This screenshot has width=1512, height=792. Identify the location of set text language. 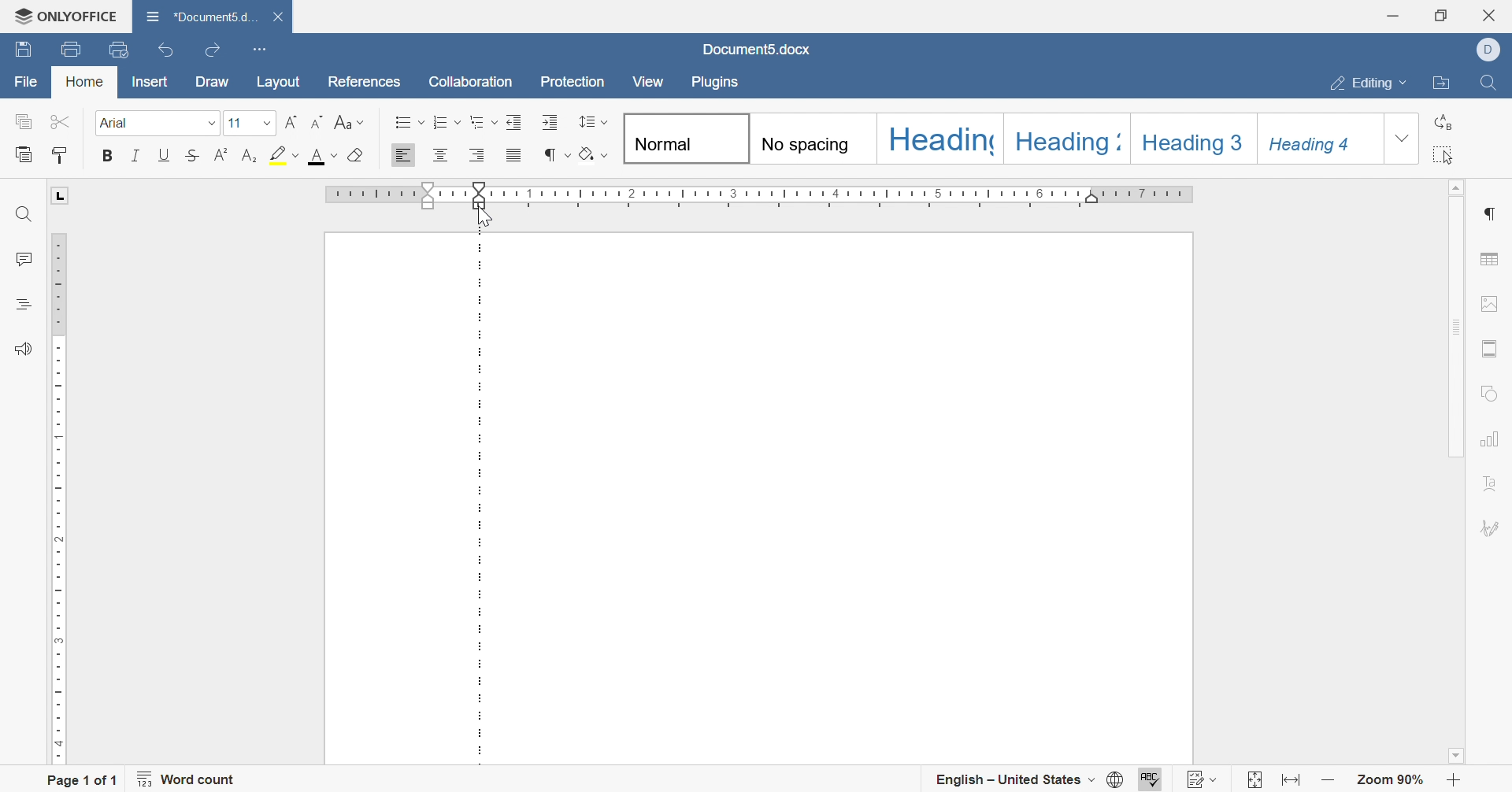
(1017, 778).